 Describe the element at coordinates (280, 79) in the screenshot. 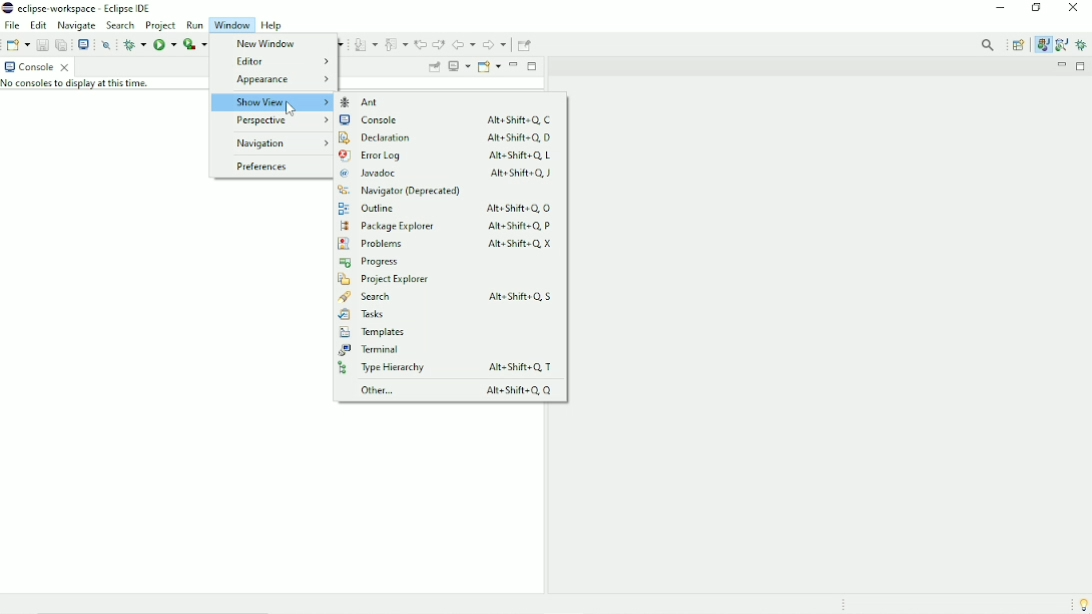

I see `Appearance` at that location.